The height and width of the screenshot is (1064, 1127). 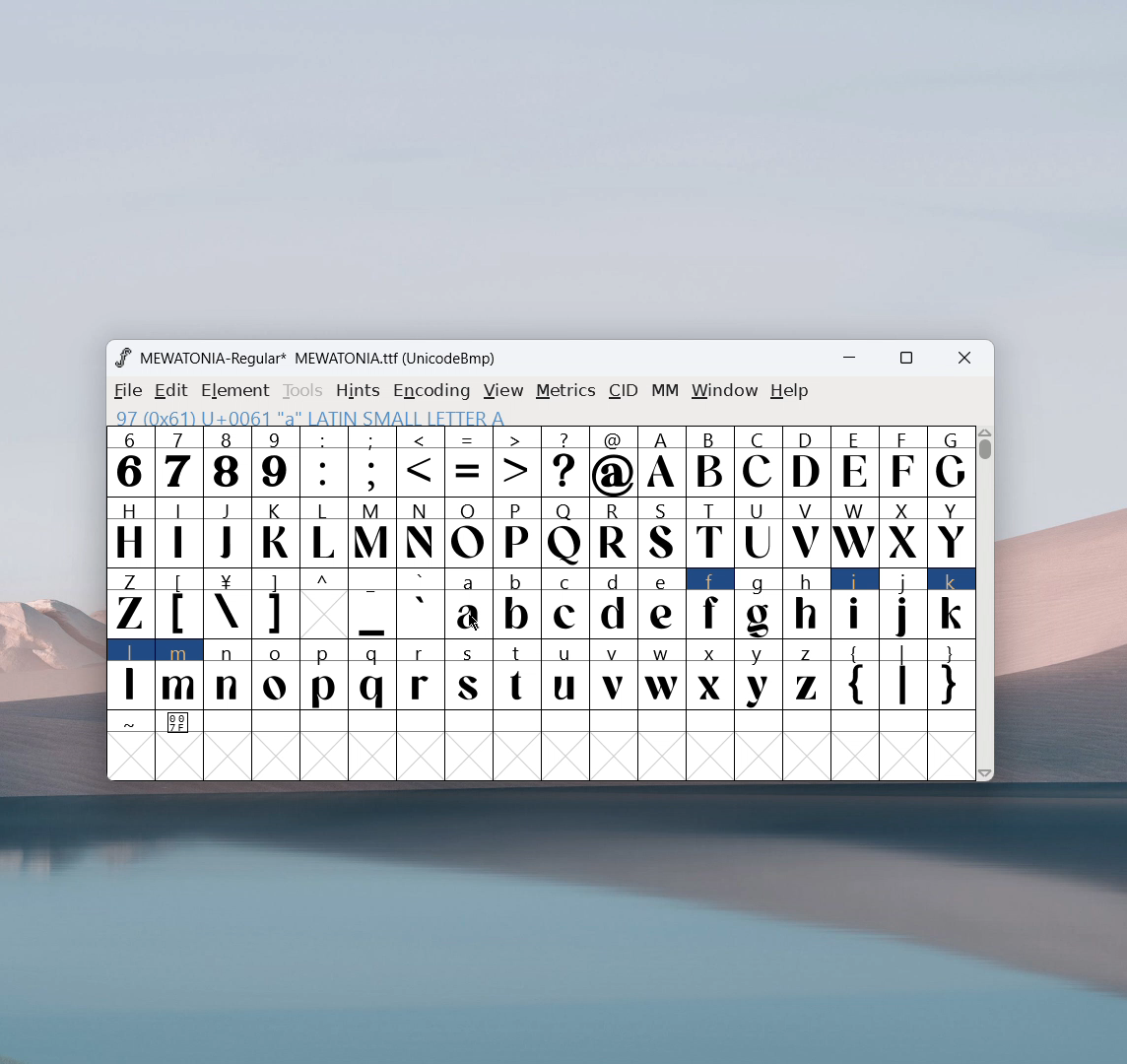 What do you see at coordinates (180, 725) in the screenshot?
I see `0 0 7 F` at bounding box center [180, 725].